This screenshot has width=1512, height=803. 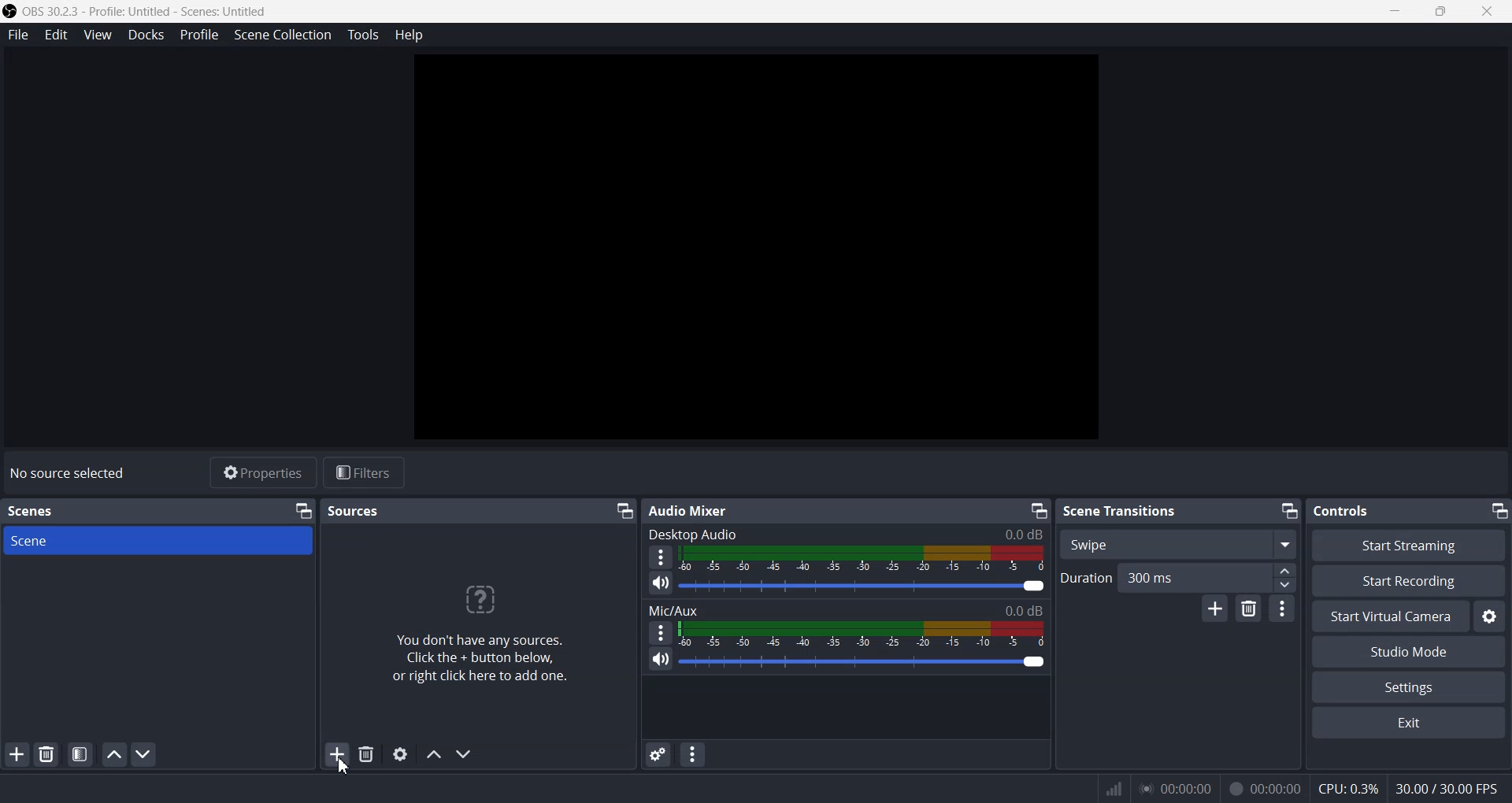 I want to click on Mic/Aux, so click(x=845, y=610).